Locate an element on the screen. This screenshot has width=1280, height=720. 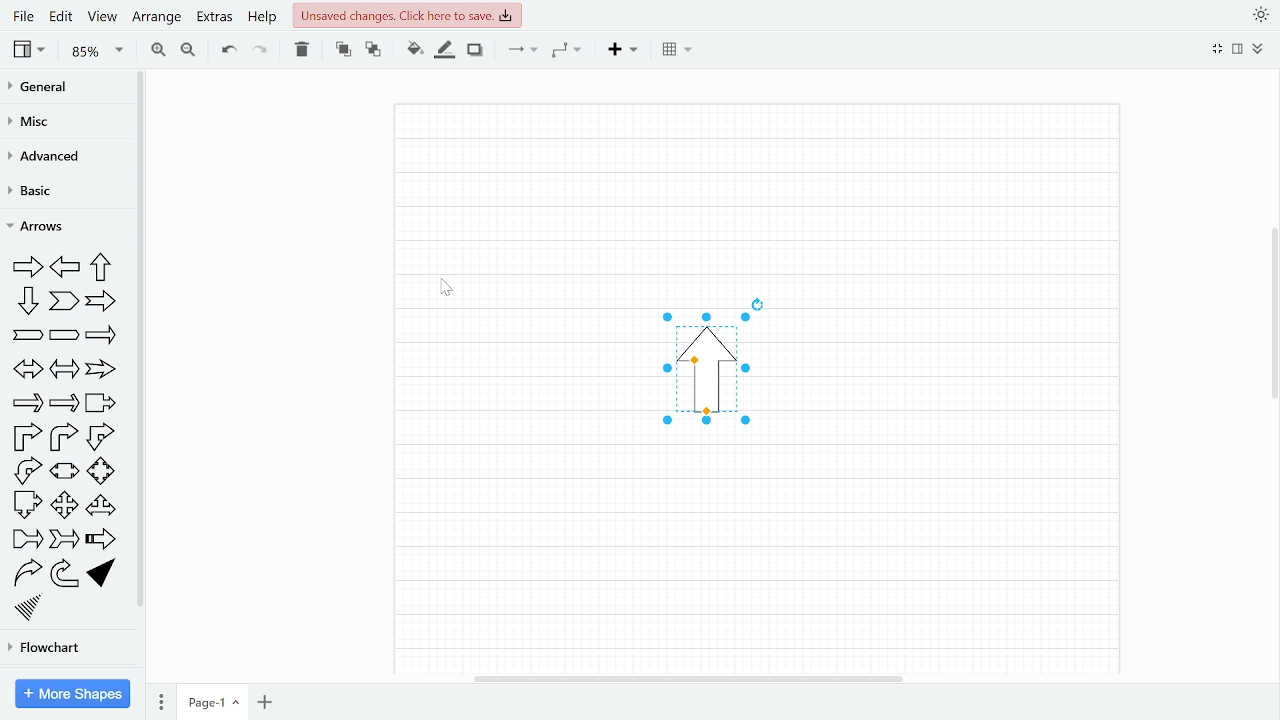
Minimize is located at coordinates (1218, 49).